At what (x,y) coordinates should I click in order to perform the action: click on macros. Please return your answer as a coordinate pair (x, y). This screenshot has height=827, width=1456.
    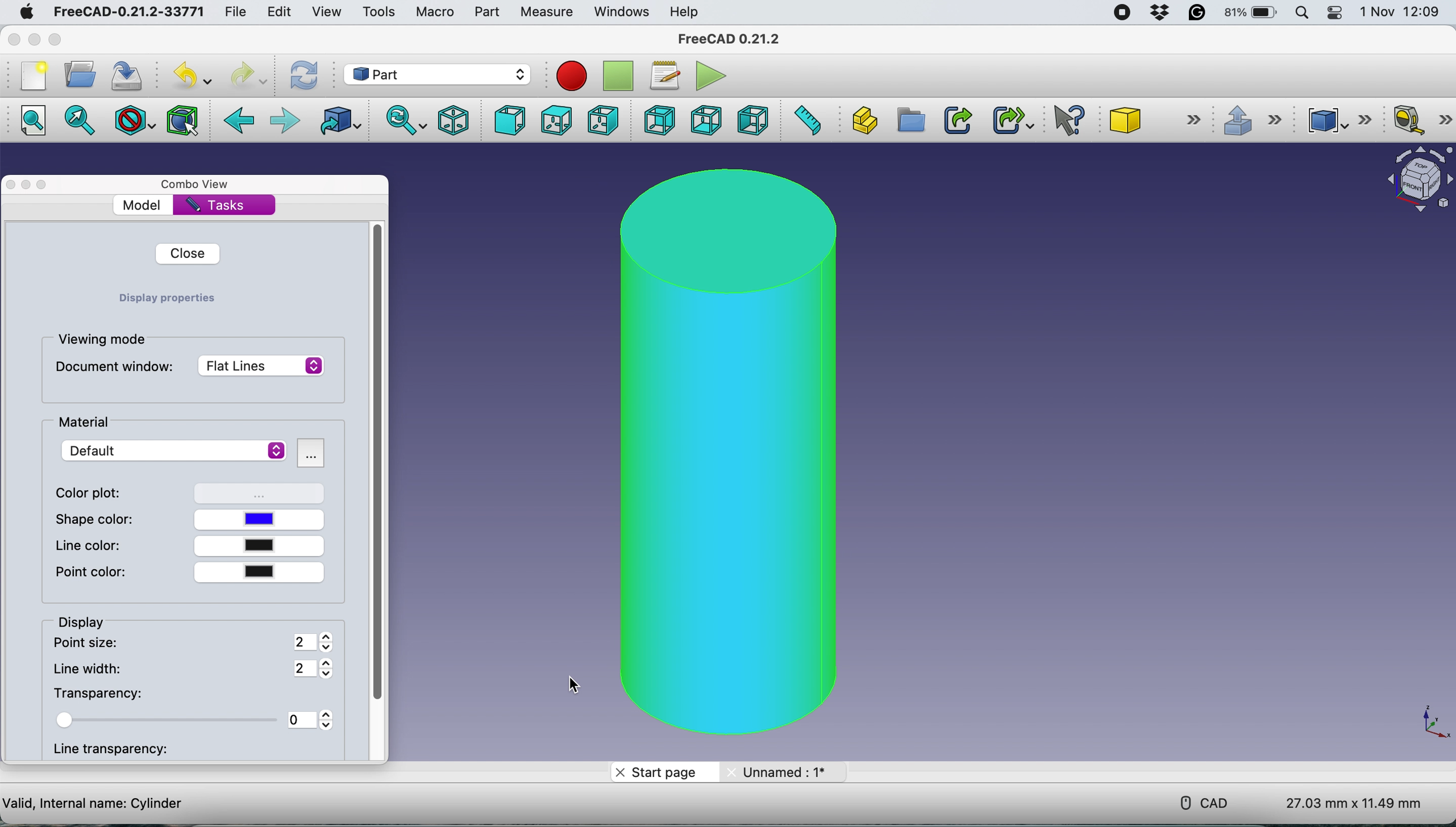
    Looking at the image, I should click on (664, 77).